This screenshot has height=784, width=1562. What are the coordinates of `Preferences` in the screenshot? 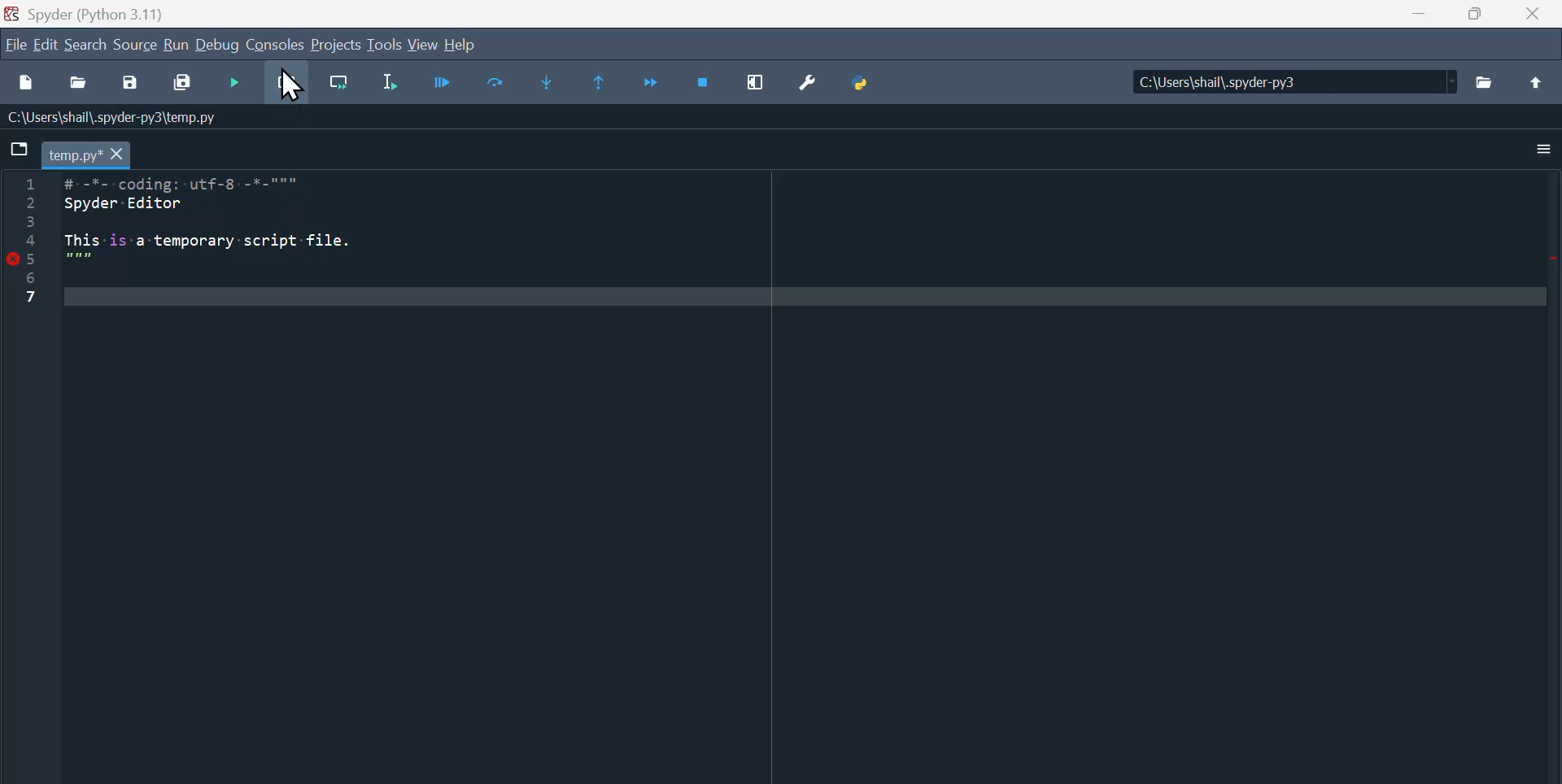 It's located at (811, 82).